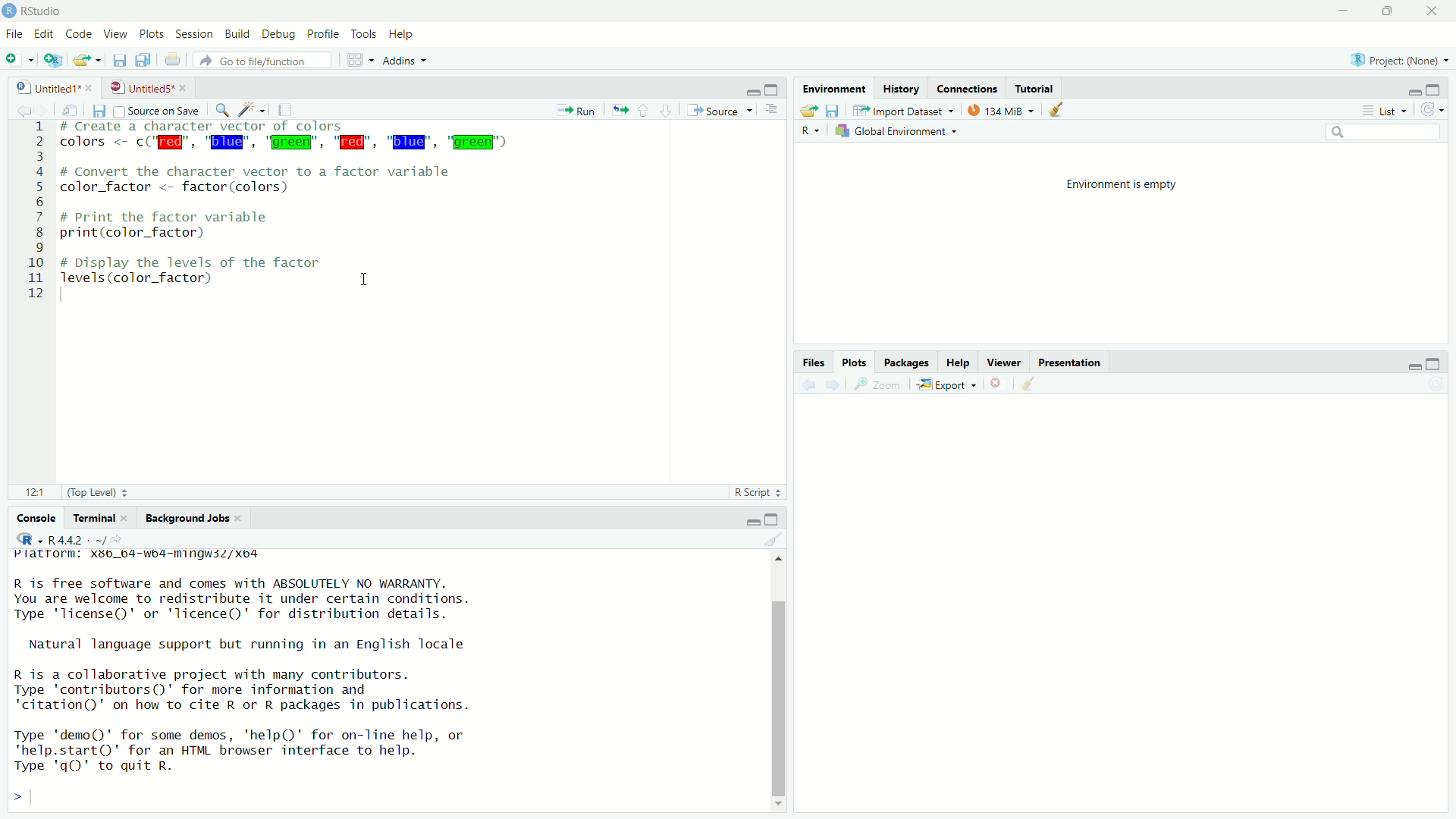  What do you see at coordinates (366, 32) in the screenshot?
I see `tools` at bounding box center [366, 32].